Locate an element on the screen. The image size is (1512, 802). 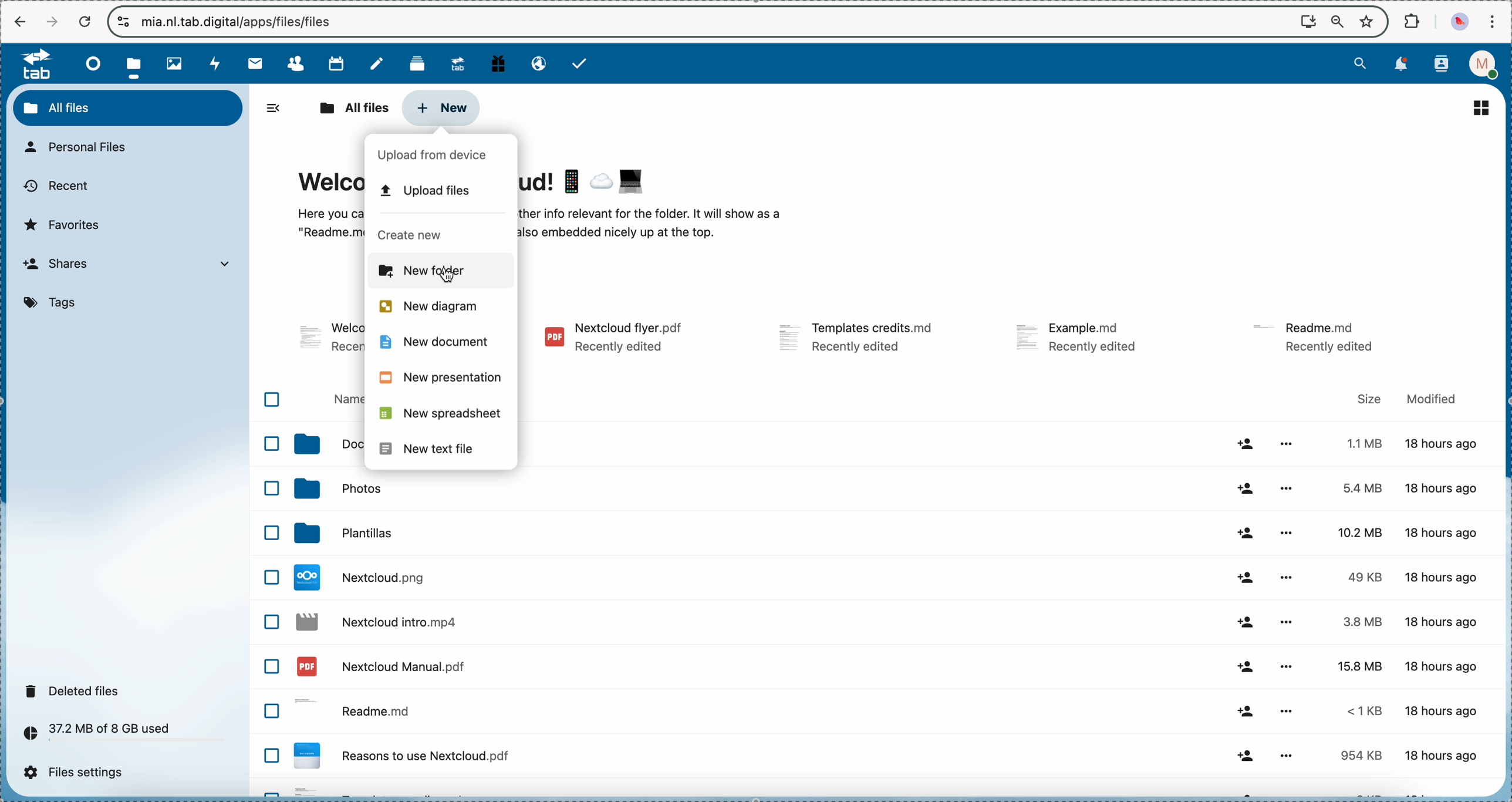
zoom out is located at coordinates (1338, 22).